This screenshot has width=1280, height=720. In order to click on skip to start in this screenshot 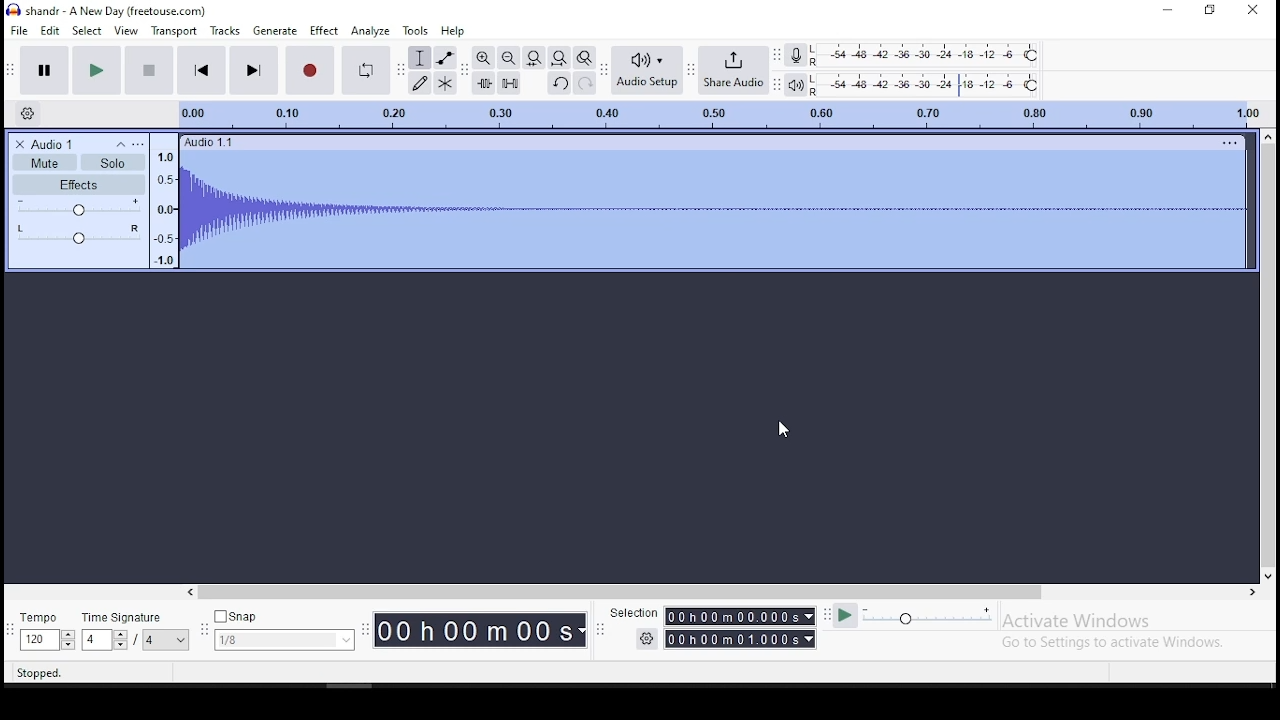, I will do `click(201, 71)`.